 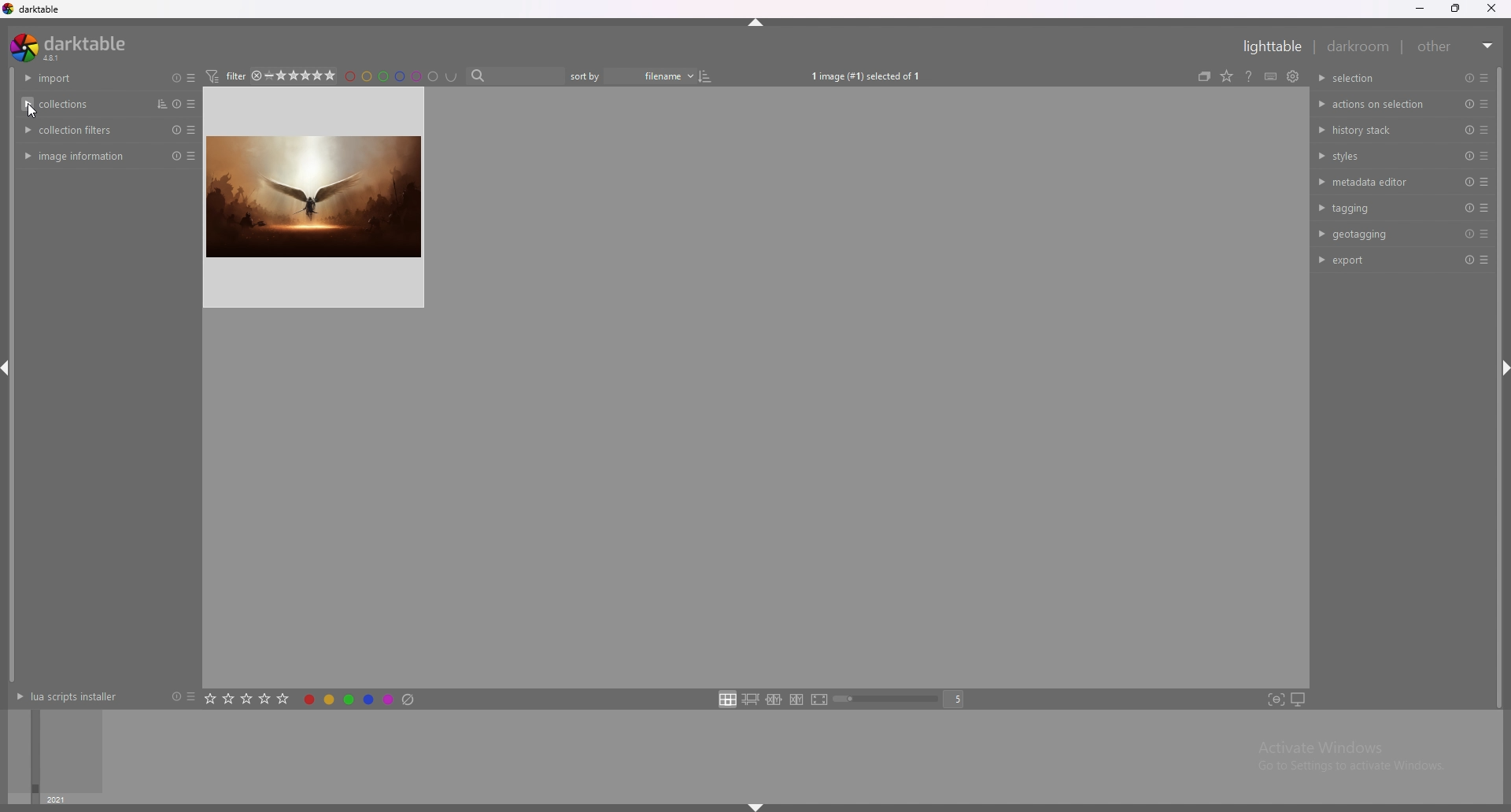 What do you see at coordinates (1376, 234) in the screenshot?
I see `geotagging` at bounding box center [1376, 234].